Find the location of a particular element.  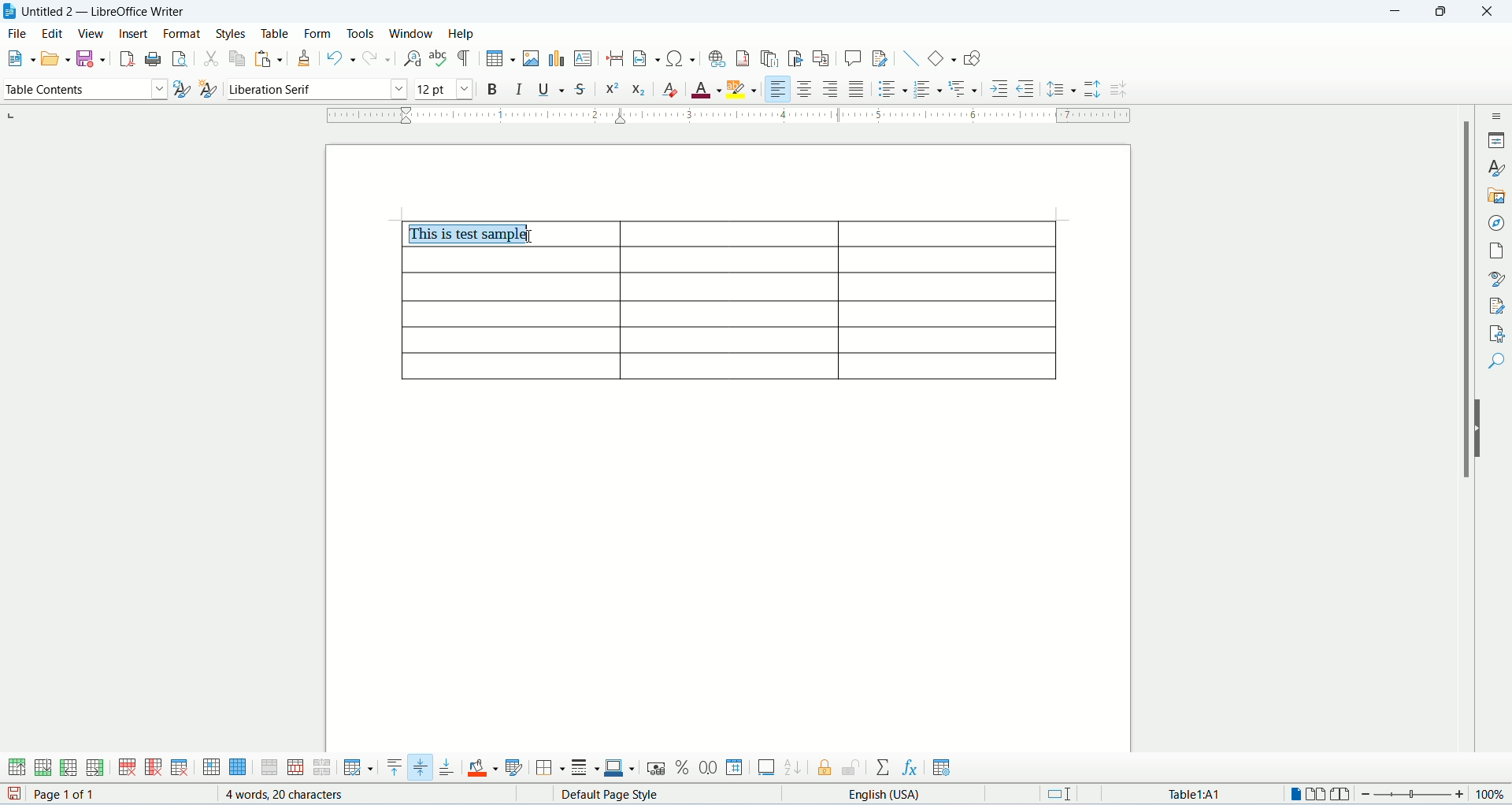

print preview is located at coordinates (180, 58).